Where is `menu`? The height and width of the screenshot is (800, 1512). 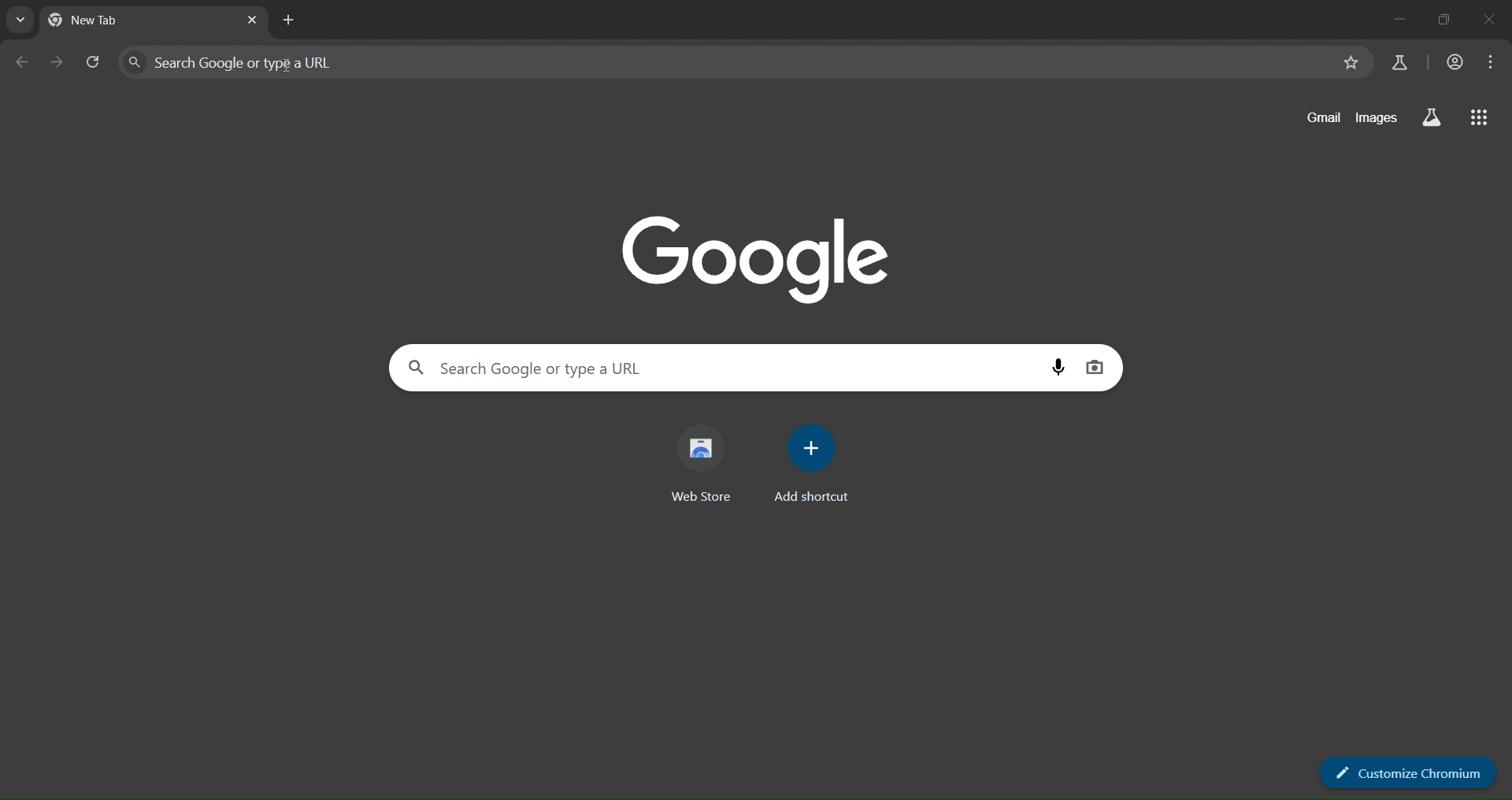 menu is located at coordinates (1492, 61).